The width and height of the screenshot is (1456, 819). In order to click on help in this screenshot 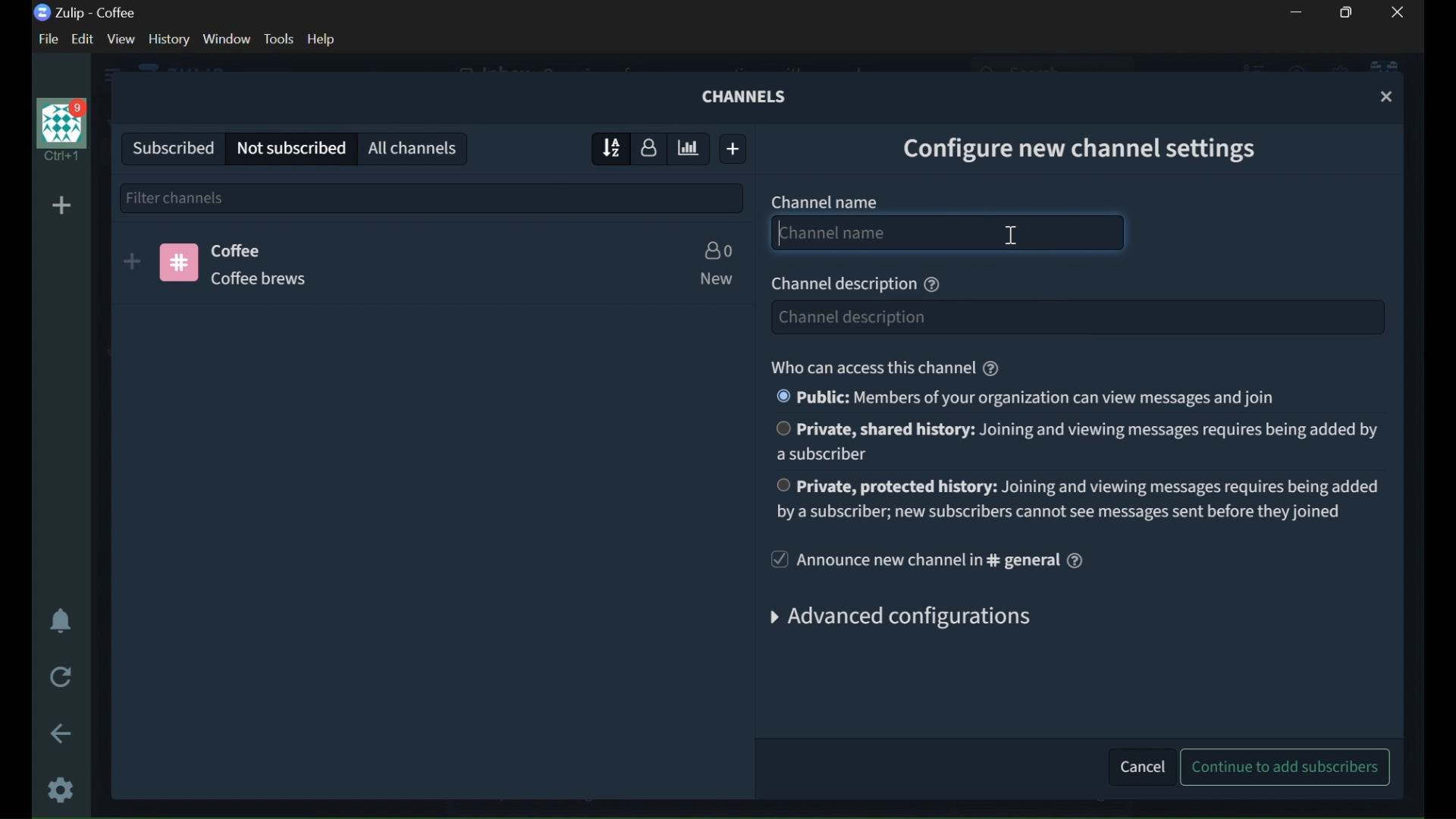, I will do `click(932, 285)`.